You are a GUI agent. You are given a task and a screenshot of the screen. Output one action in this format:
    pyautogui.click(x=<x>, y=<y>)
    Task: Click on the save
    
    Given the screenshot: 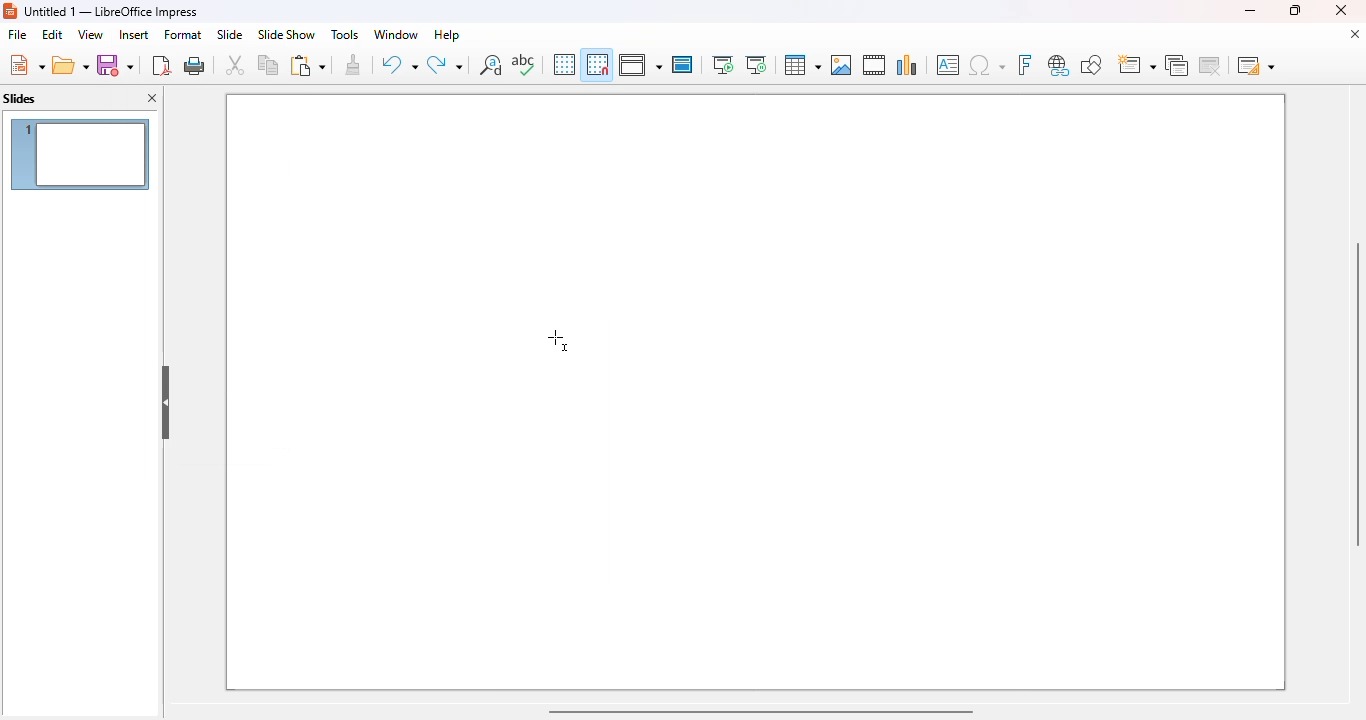 What is the action you would take?
    pyautogui.click(x=115, y=65)
    